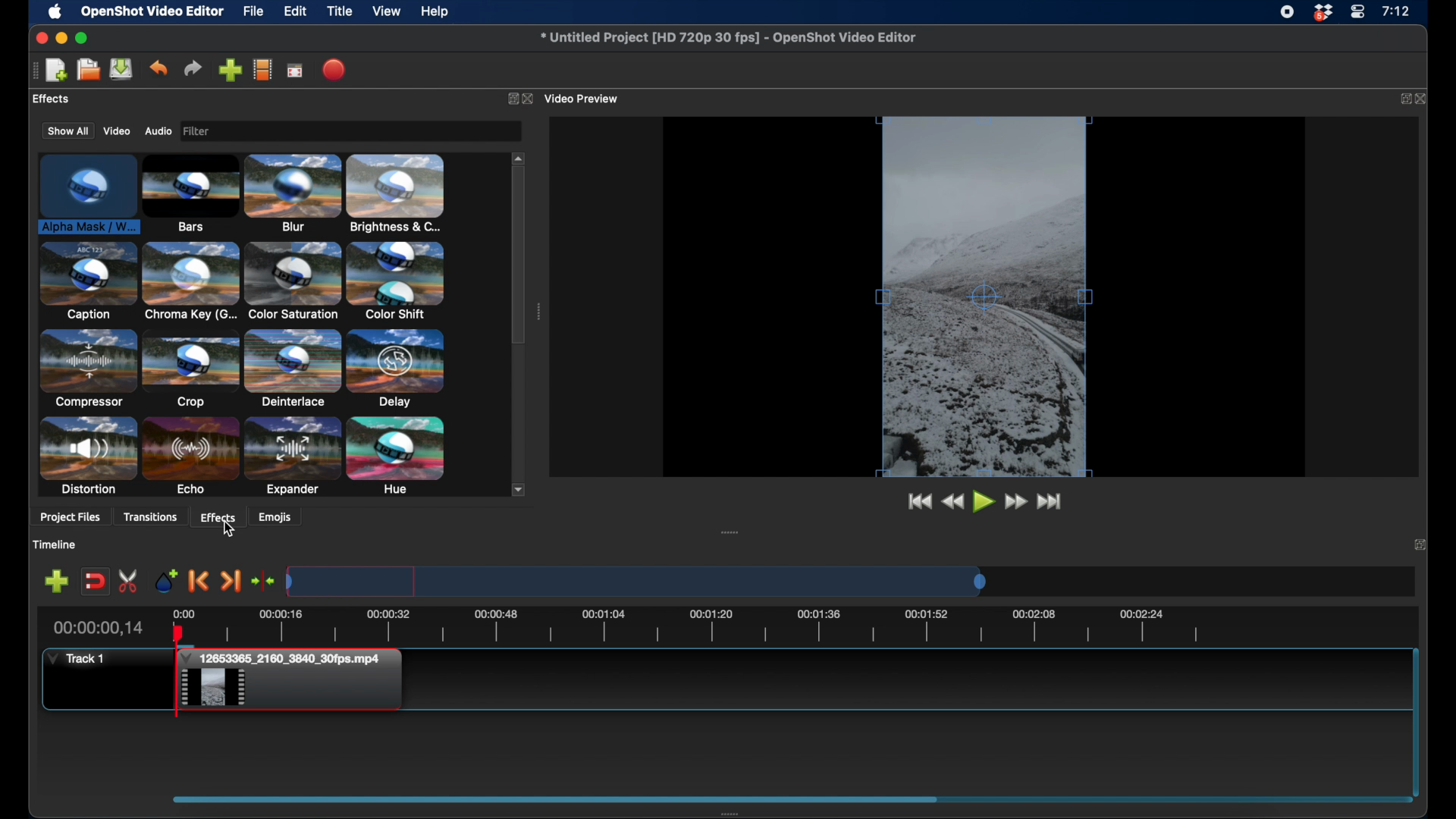 Image resolution: width=1456 pixels, height=819 pixels. I want to click on transitions, so click(150, 517).